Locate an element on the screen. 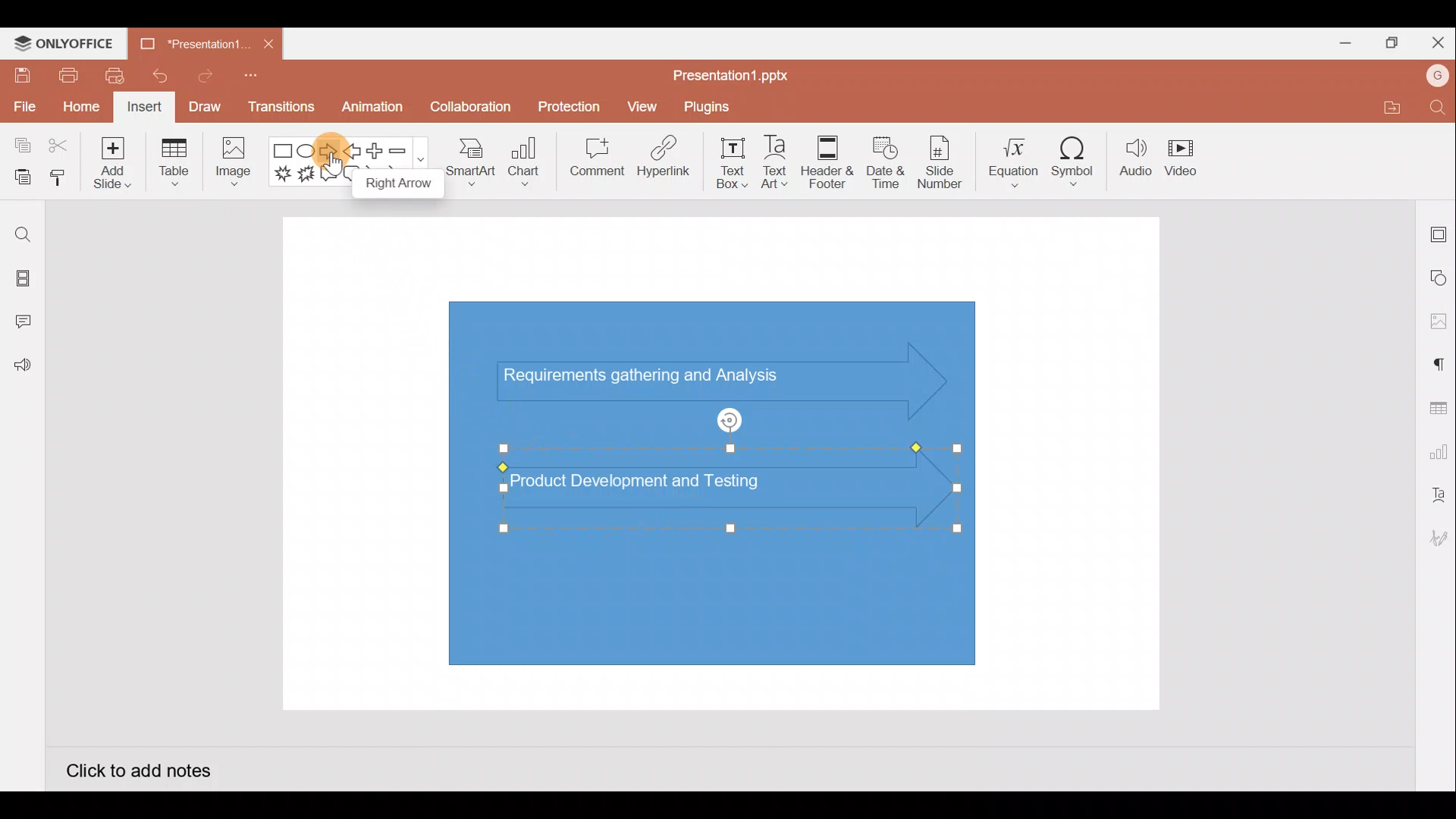 This screenshot has width=1456, height=819. ONLYOFFICE is located at coordinates (64, 43).